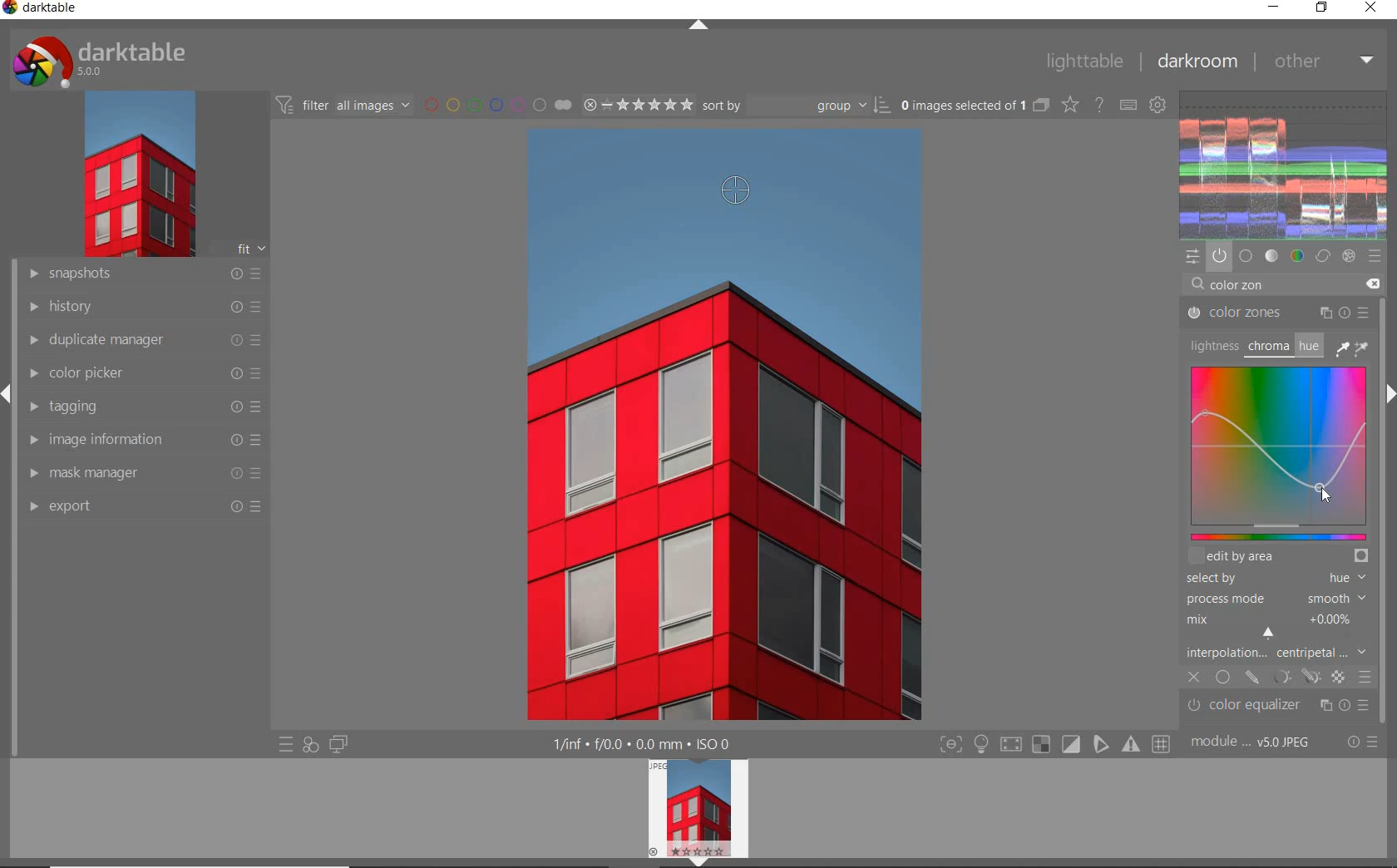 This screenshot has width=1397, height=868. I want to click on enable for online help, so click(1100, 104).